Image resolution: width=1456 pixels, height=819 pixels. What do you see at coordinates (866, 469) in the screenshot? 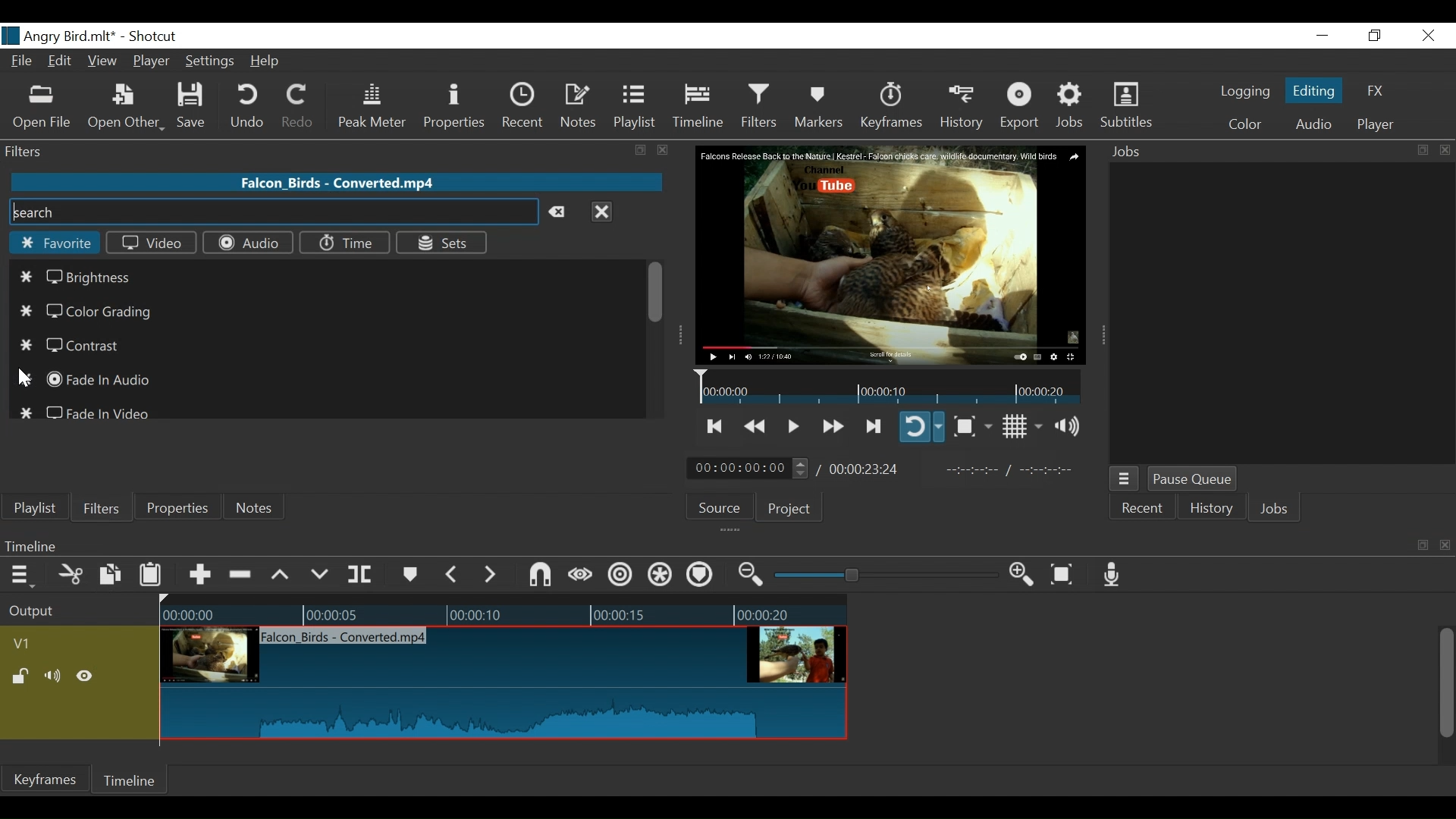
I see `Total Duration` at bounding box center [866, 469].